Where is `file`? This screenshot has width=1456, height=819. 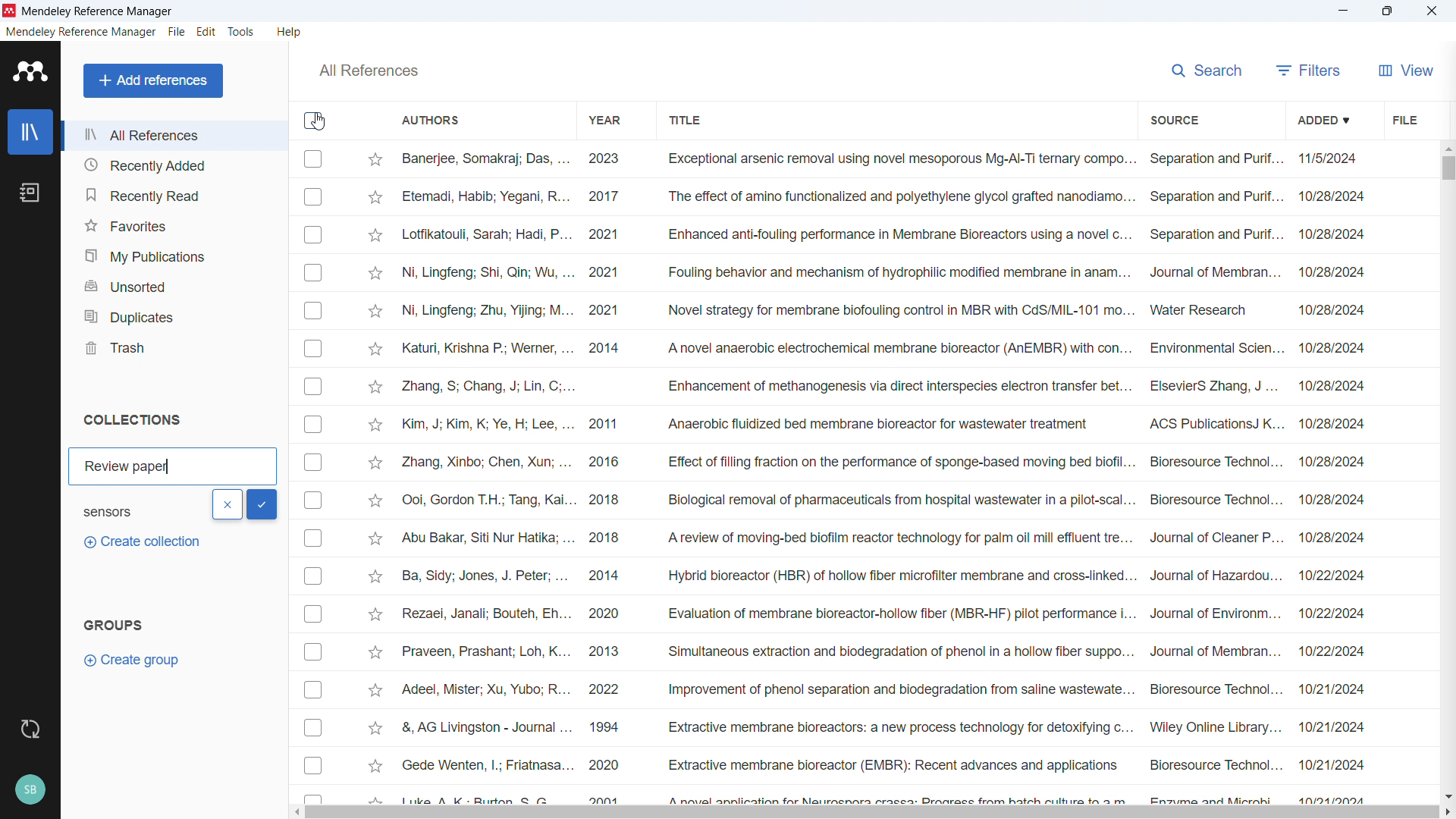
file is located at coordinates (1404, 118).